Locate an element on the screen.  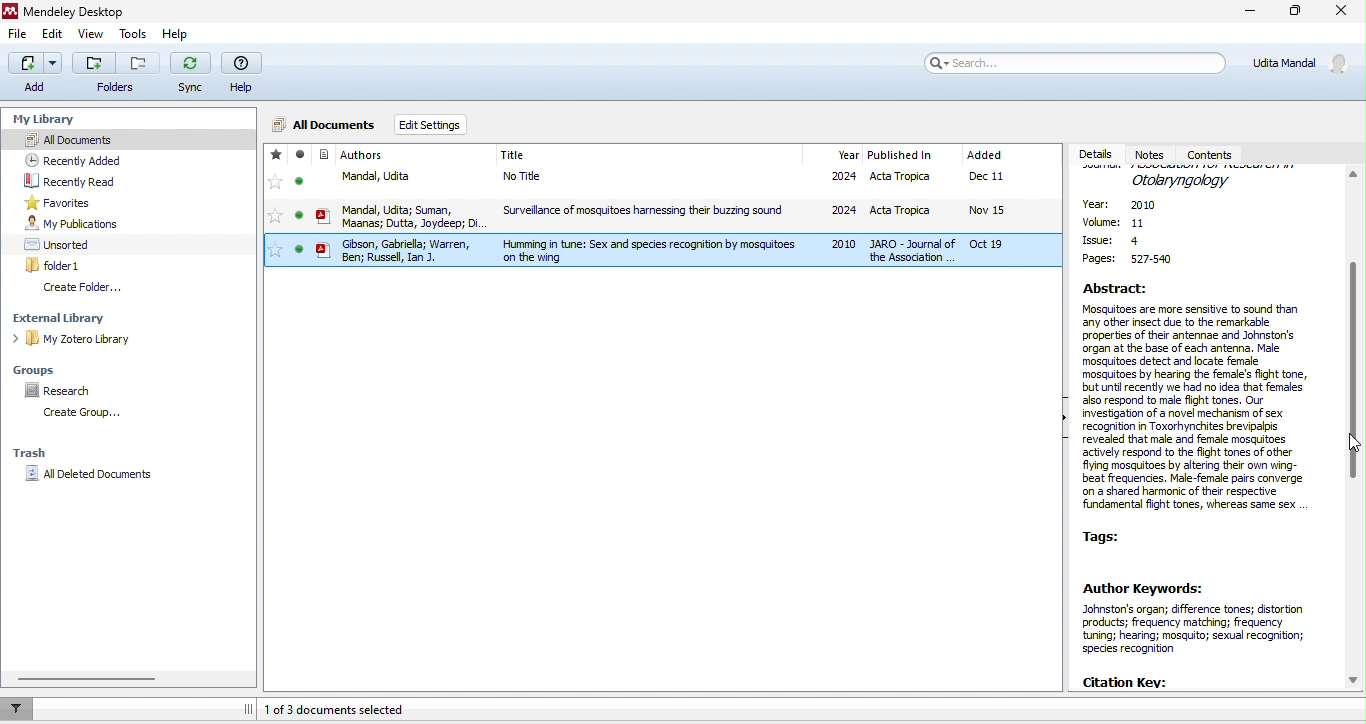
my publication is located at coordinates (72, 224).